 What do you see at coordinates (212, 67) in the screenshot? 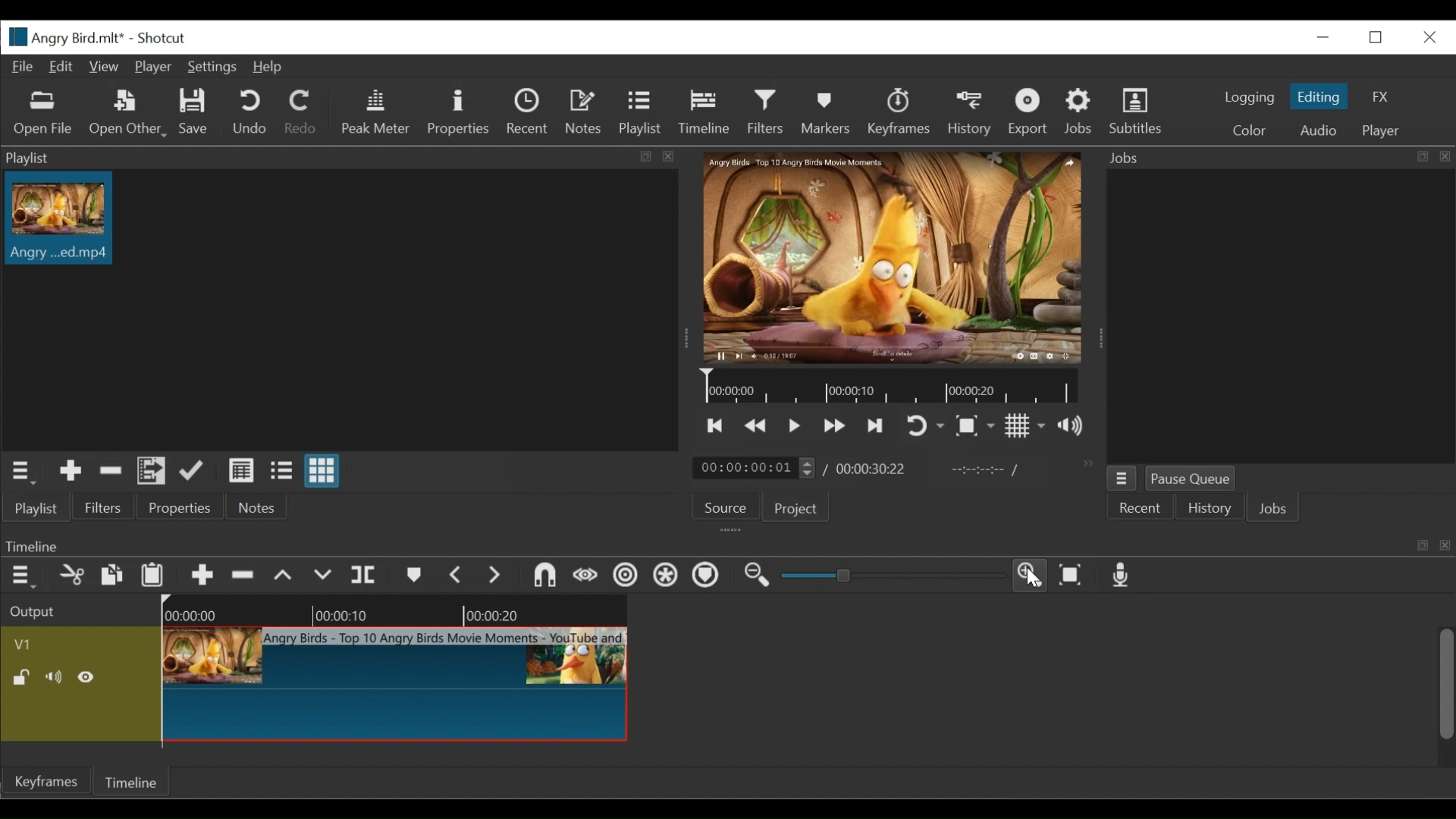
I see `Settings` at bounding box center [212, 67].